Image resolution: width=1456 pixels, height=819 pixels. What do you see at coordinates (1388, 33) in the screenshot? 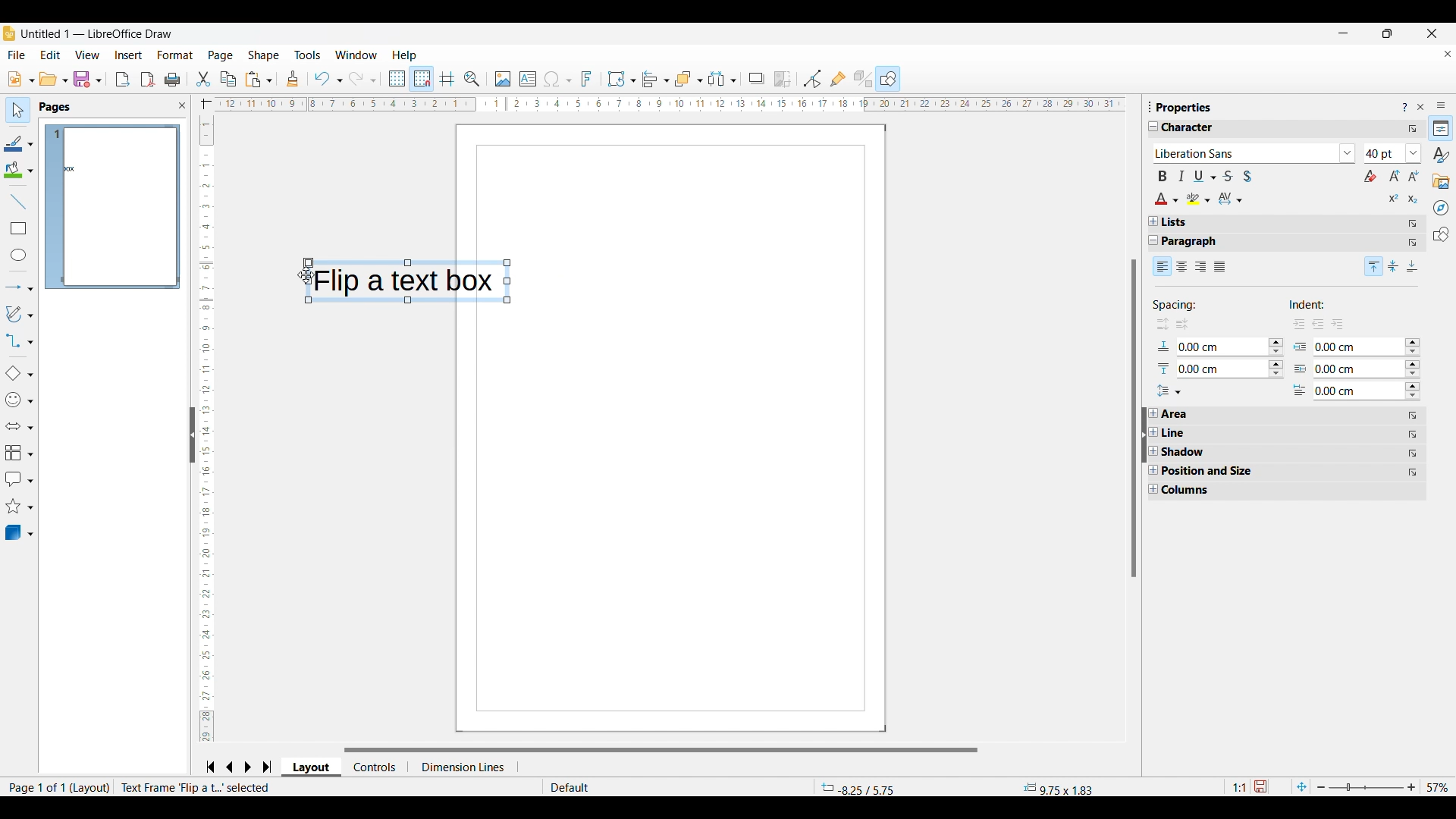
I see `Show in smaller tab` at bounding box center [1388, 33].